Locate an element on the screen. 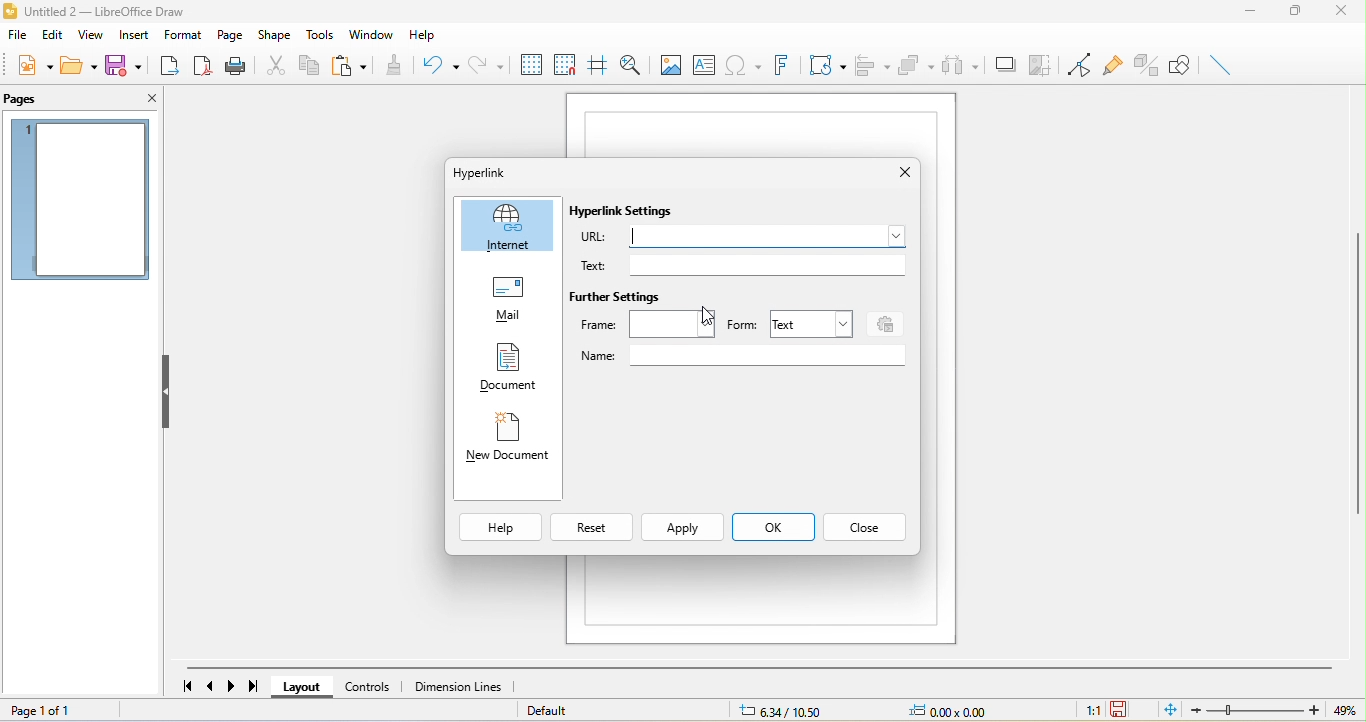  transformation is located at coordinates (825, 65).